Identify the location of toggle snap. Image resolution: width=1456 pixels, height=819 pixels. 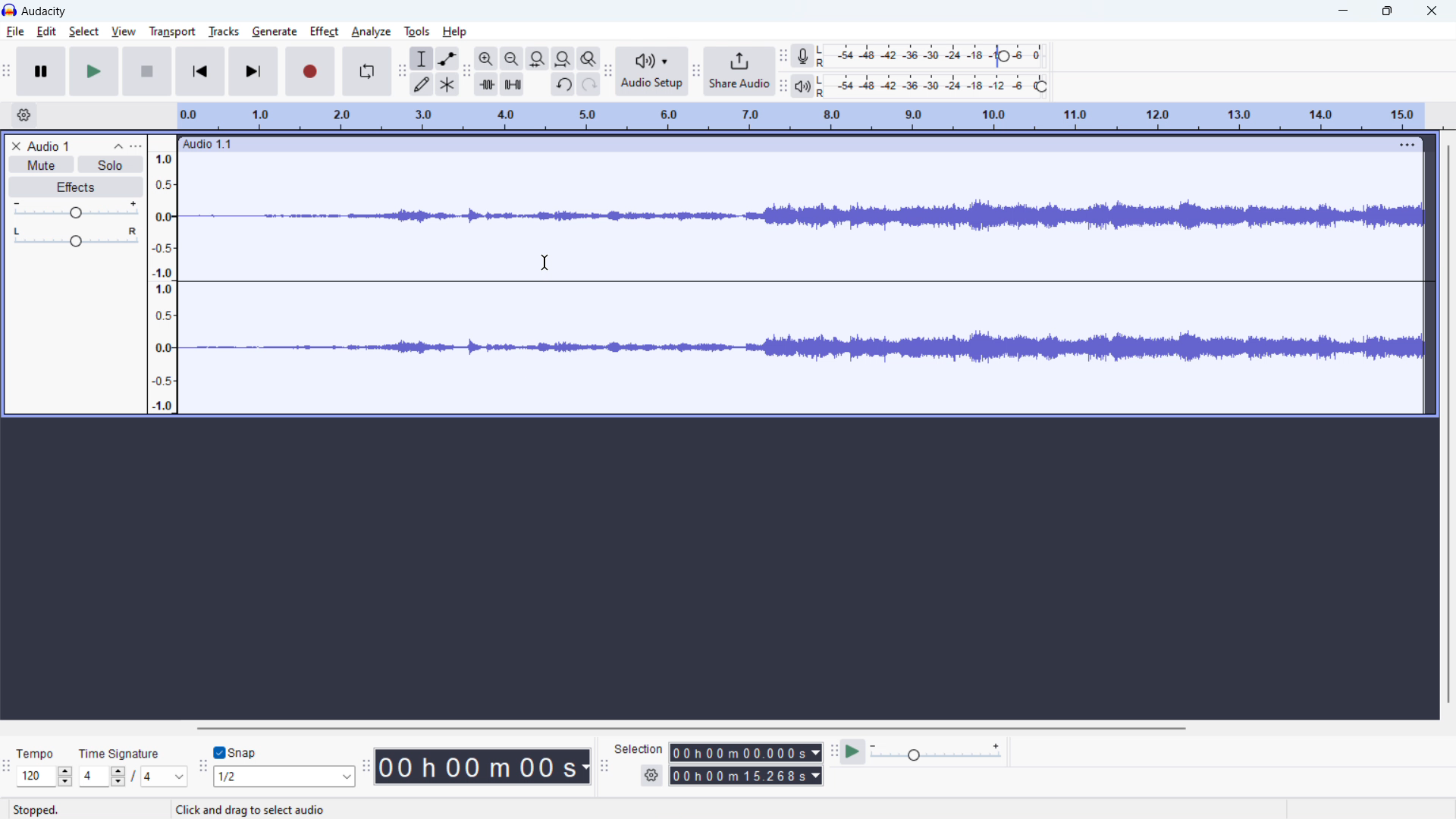
(235, 752).